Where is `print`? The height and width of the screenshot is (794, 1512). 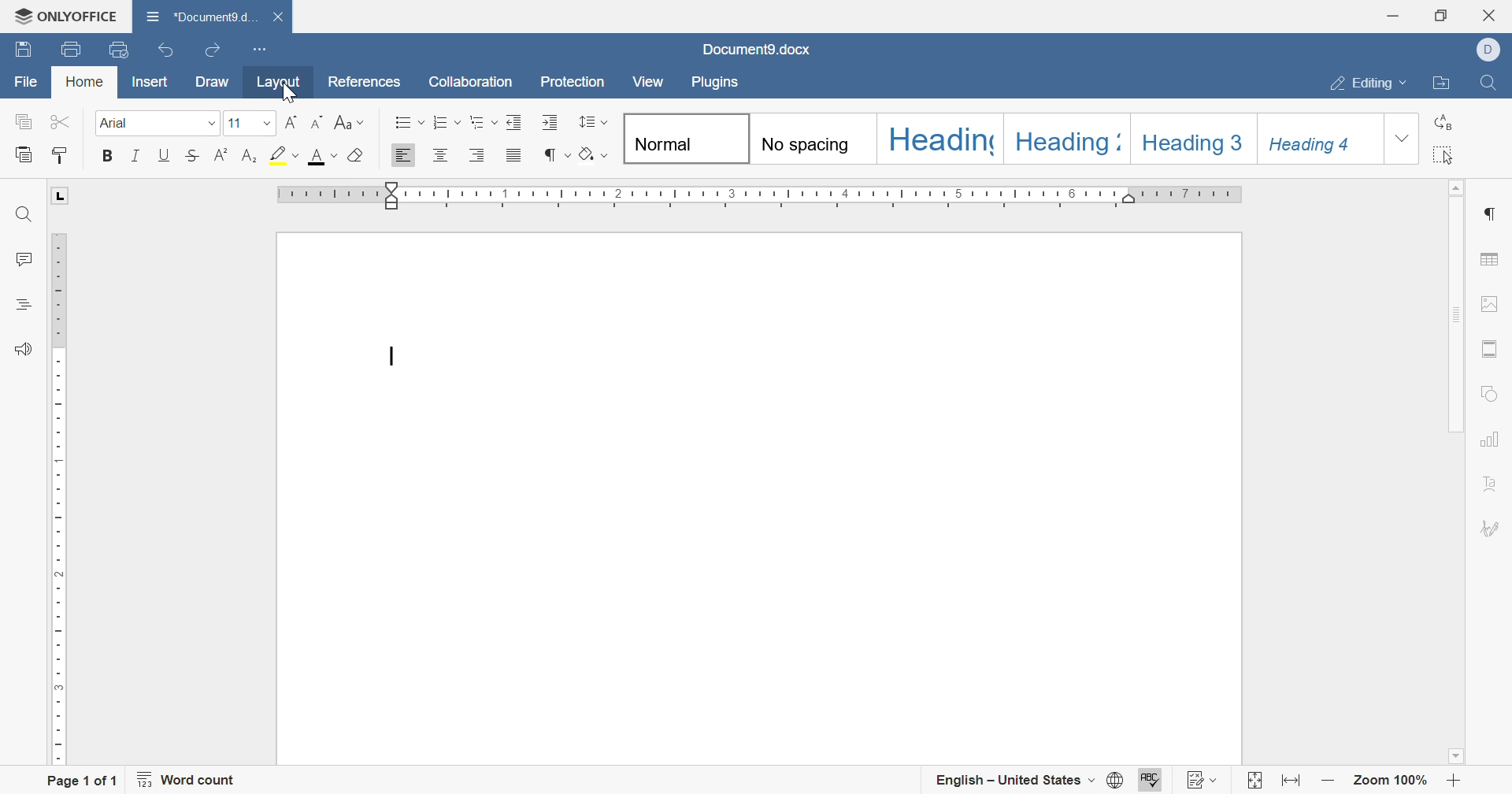 print is located at coordinates (69, 52).